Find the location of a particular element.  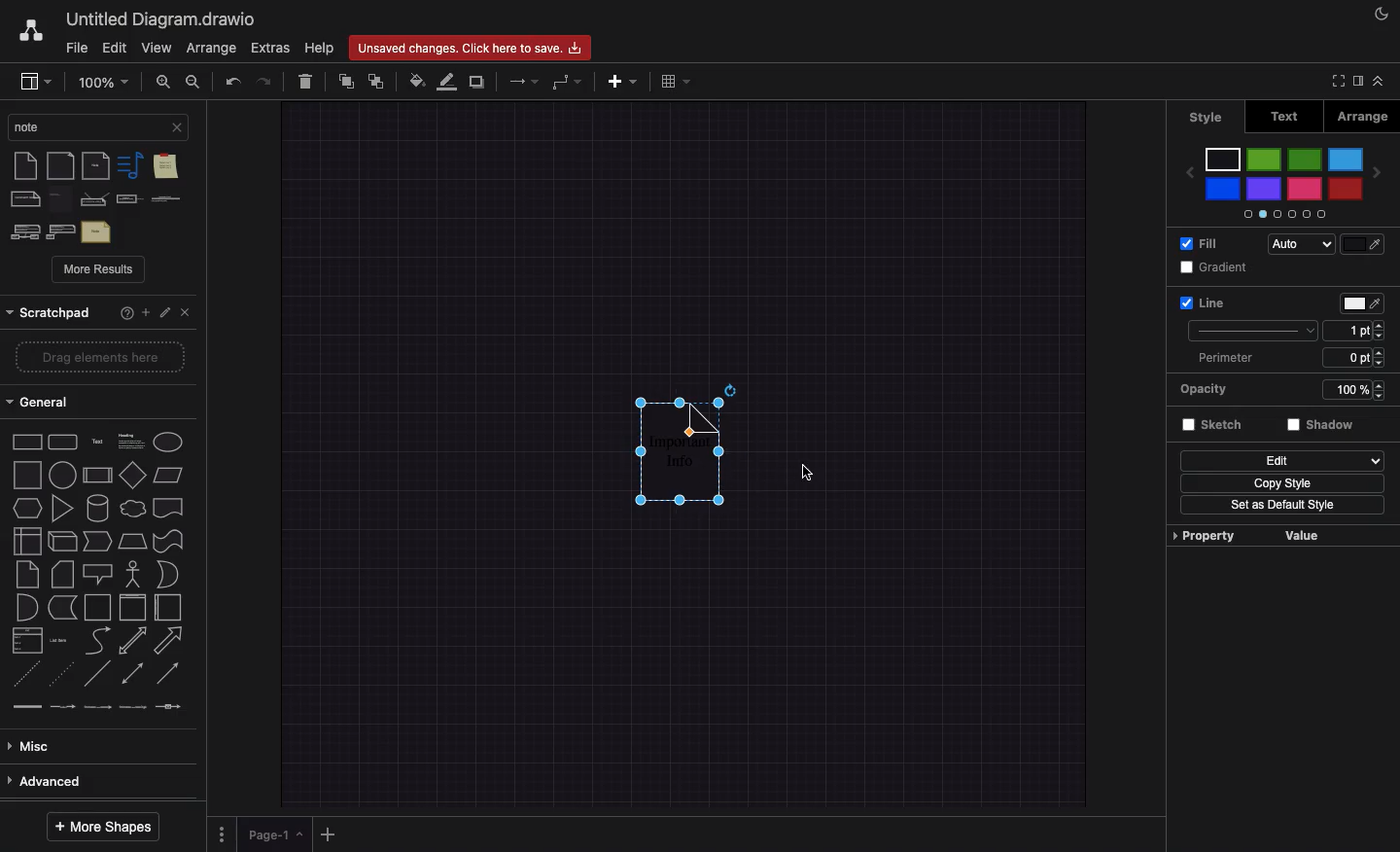

bidirectional arrow is located at coordinates (132, 640).